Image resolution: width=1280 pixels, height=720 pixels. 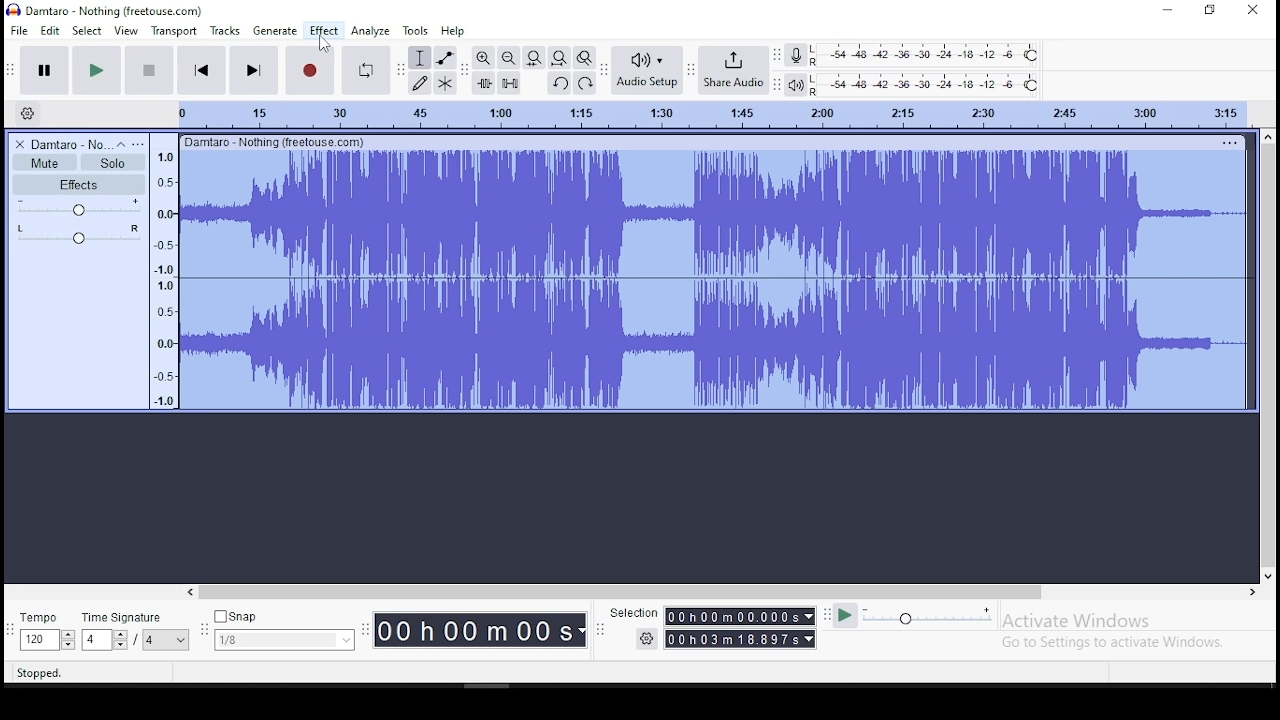 What do you see at coordinates (121, 143) in the screenshot?
I see `collapse` at bounding box center [121, 143].